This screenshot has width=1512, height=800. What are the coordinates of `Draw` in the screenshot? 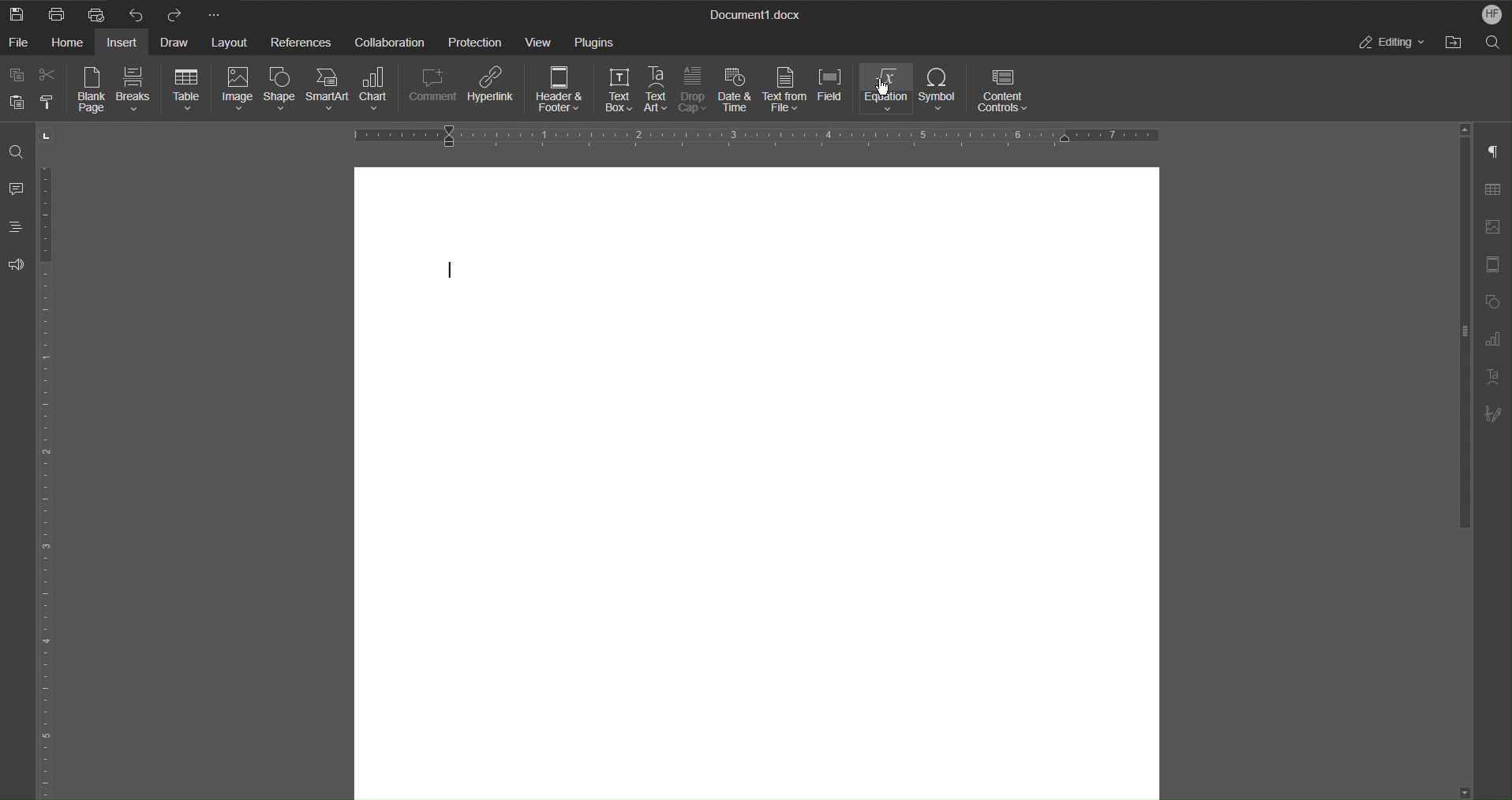 It's located at (174, 43).